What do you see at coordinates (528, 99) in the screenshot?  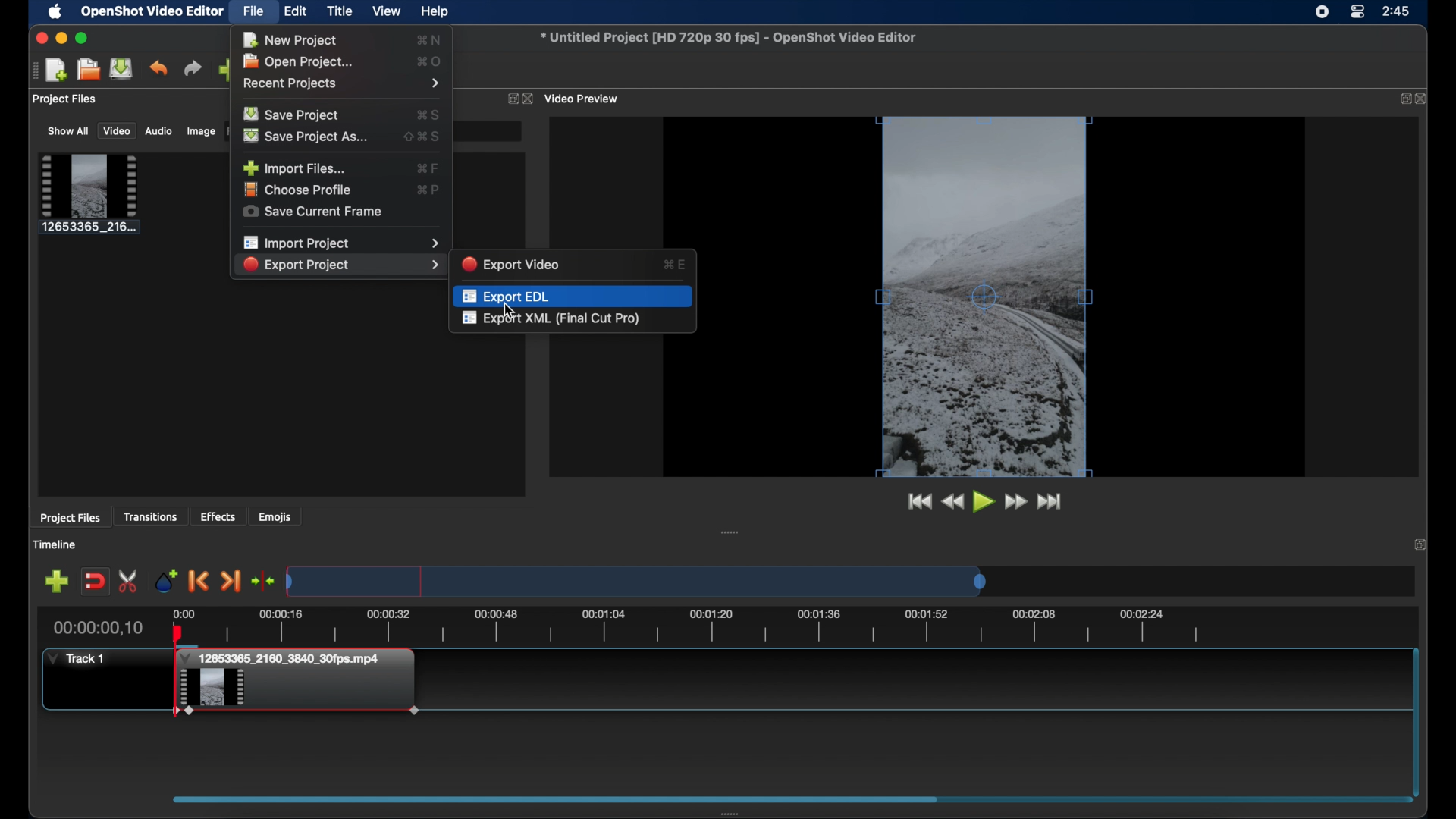 I see `close` at bounding box center [528, 99].